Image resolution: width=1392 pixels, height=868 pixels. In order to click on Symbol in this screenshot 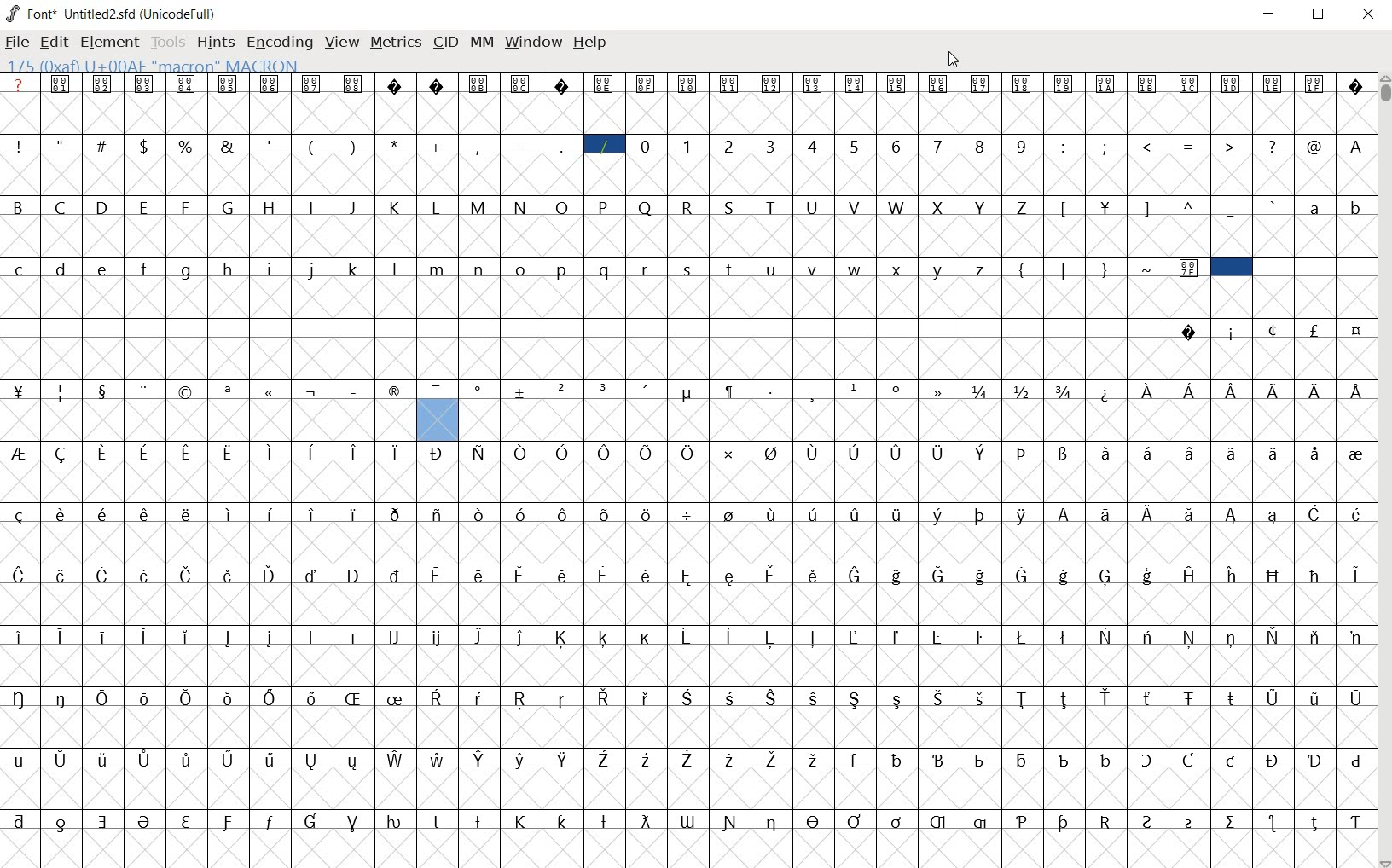, I will do `click(393, 638)`.